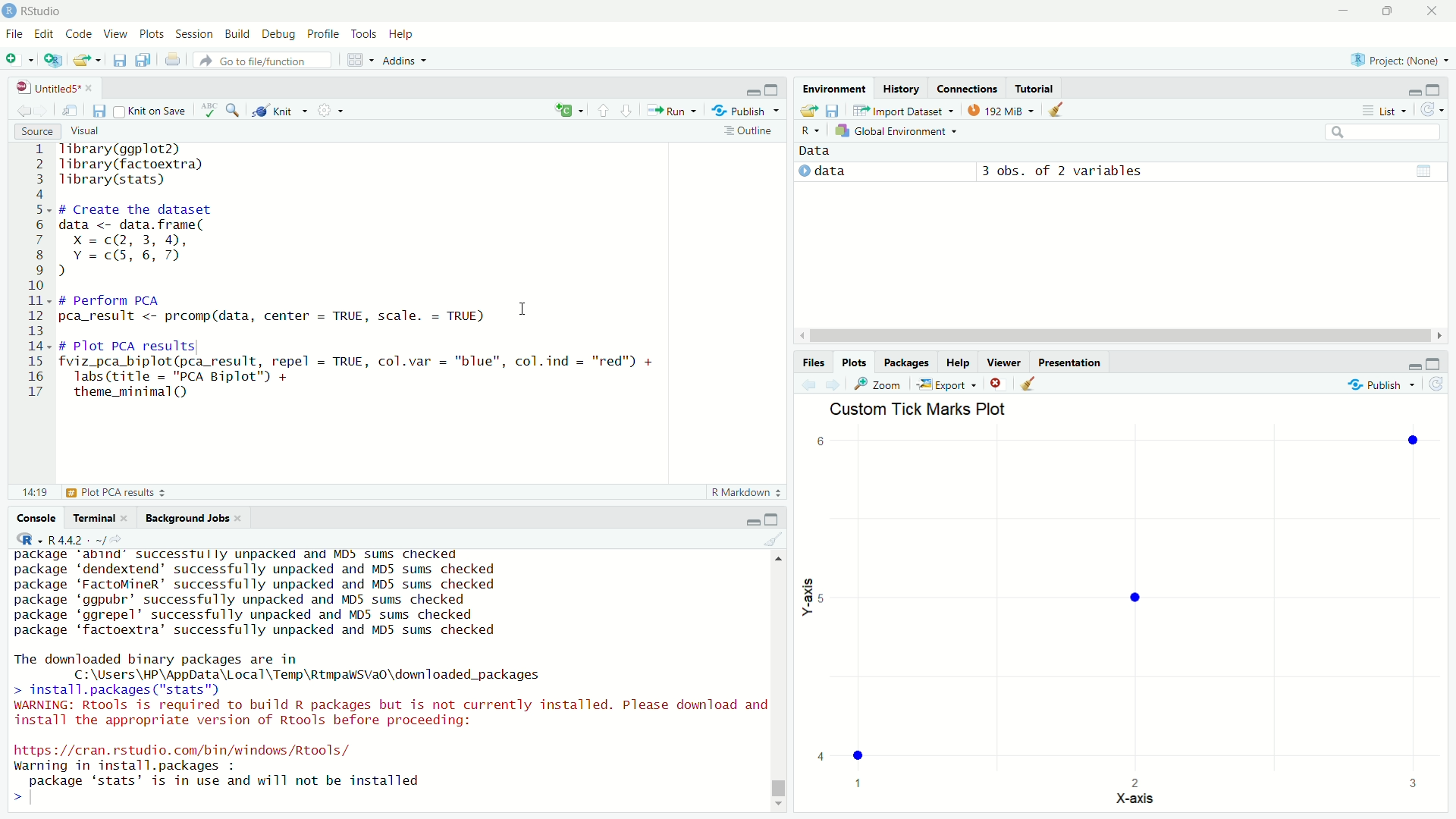 The width and height of the screenshot is (1456, 819). Describe the element at coordinates (1435, 89) in the screenshot. I see `maximize` at that location.